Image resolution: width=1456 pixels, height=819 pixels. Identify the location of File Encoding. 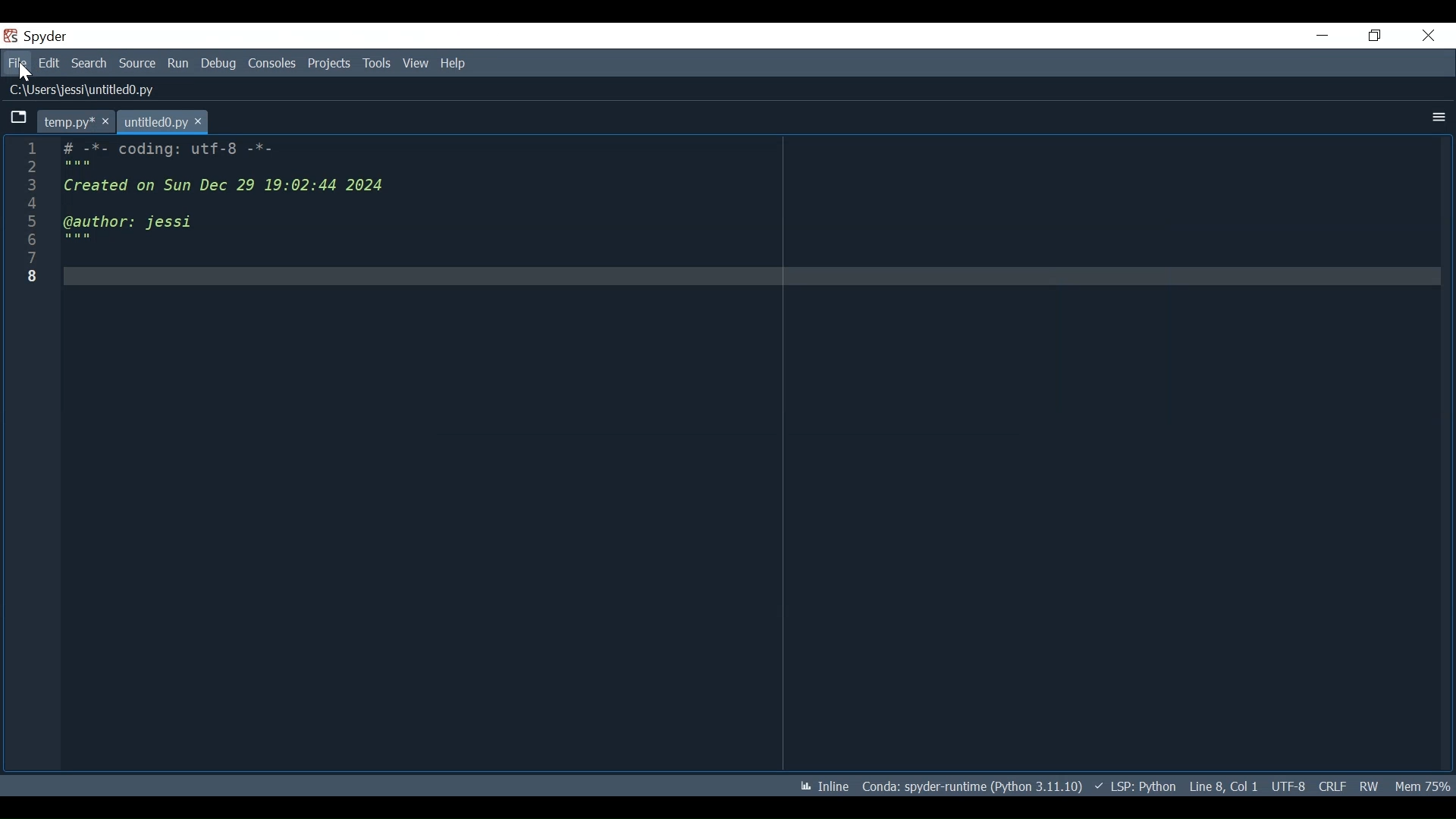
(1289, 786).